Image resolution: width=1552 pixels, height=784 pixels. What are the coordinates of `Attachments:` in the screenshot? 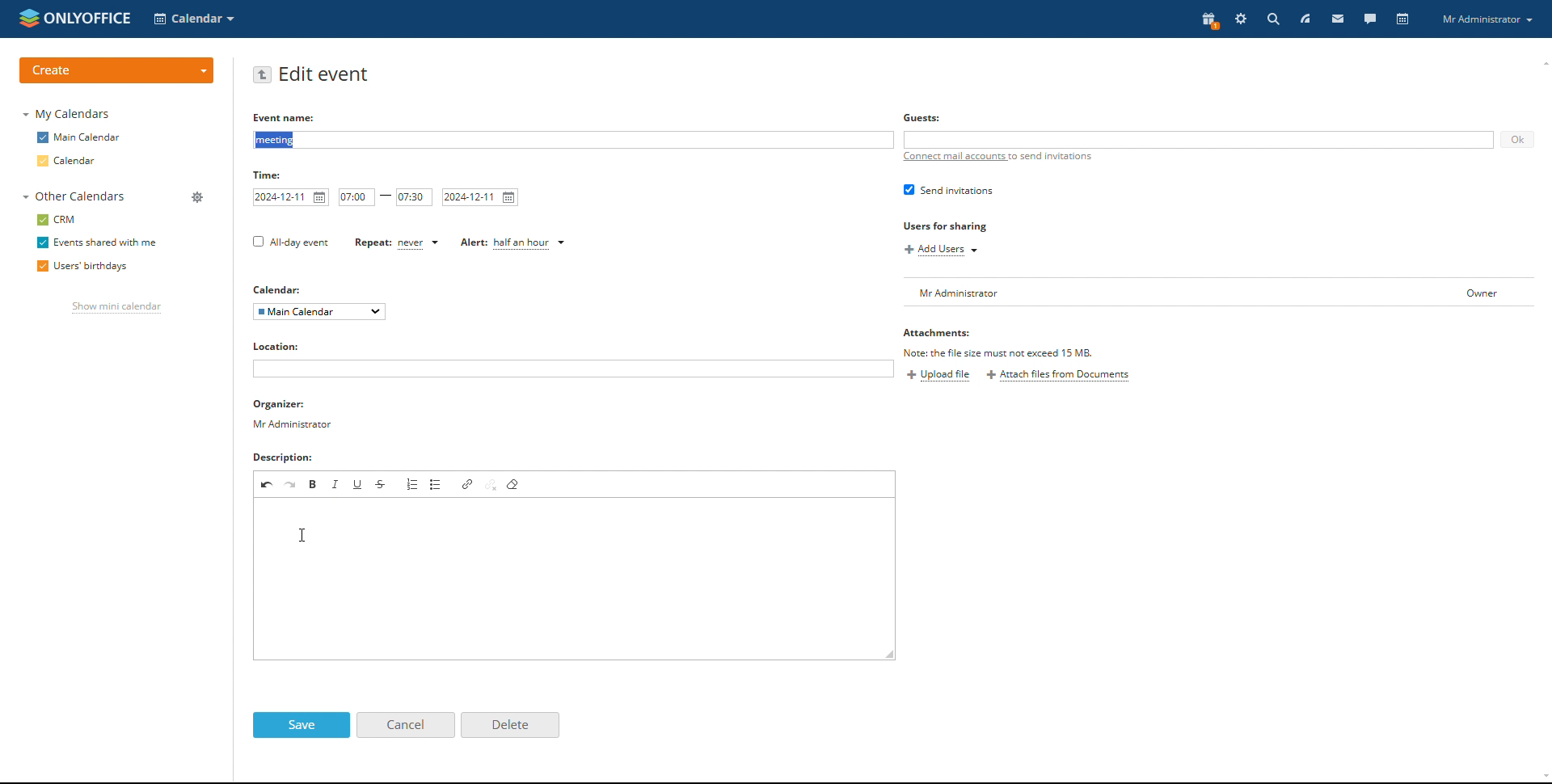 It's located at (999, 342).